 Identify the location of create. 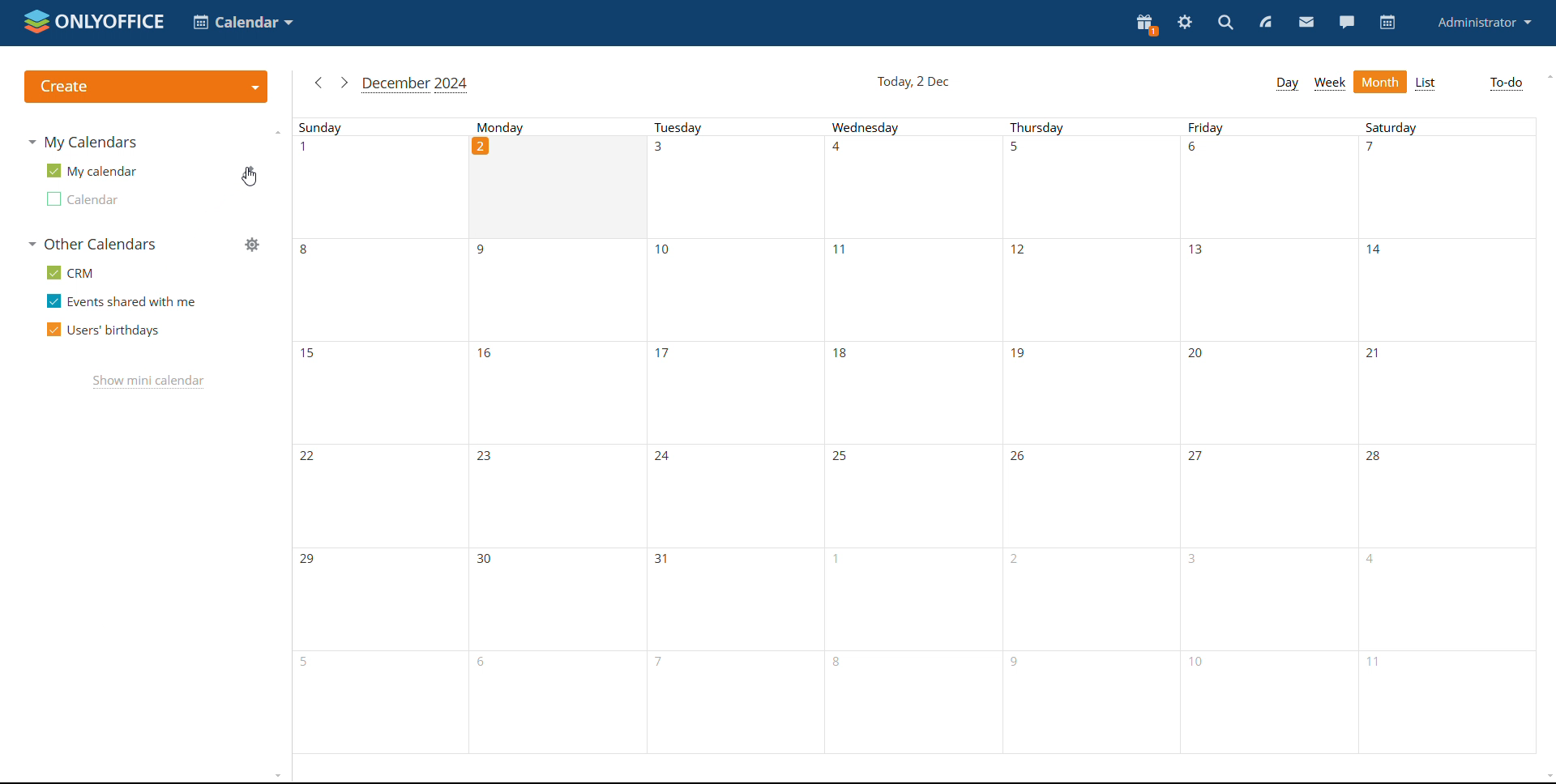
(146, 87).